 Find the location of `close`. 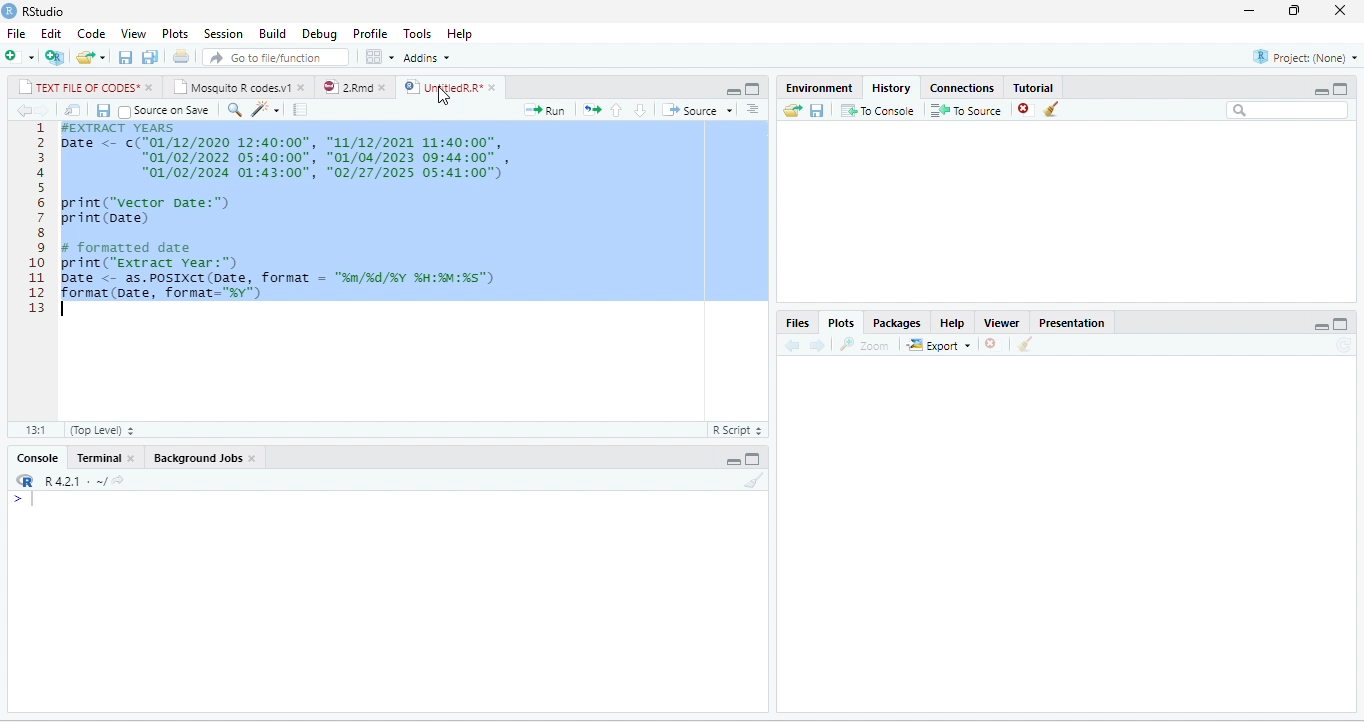

close is located at coordinates (385, 87).